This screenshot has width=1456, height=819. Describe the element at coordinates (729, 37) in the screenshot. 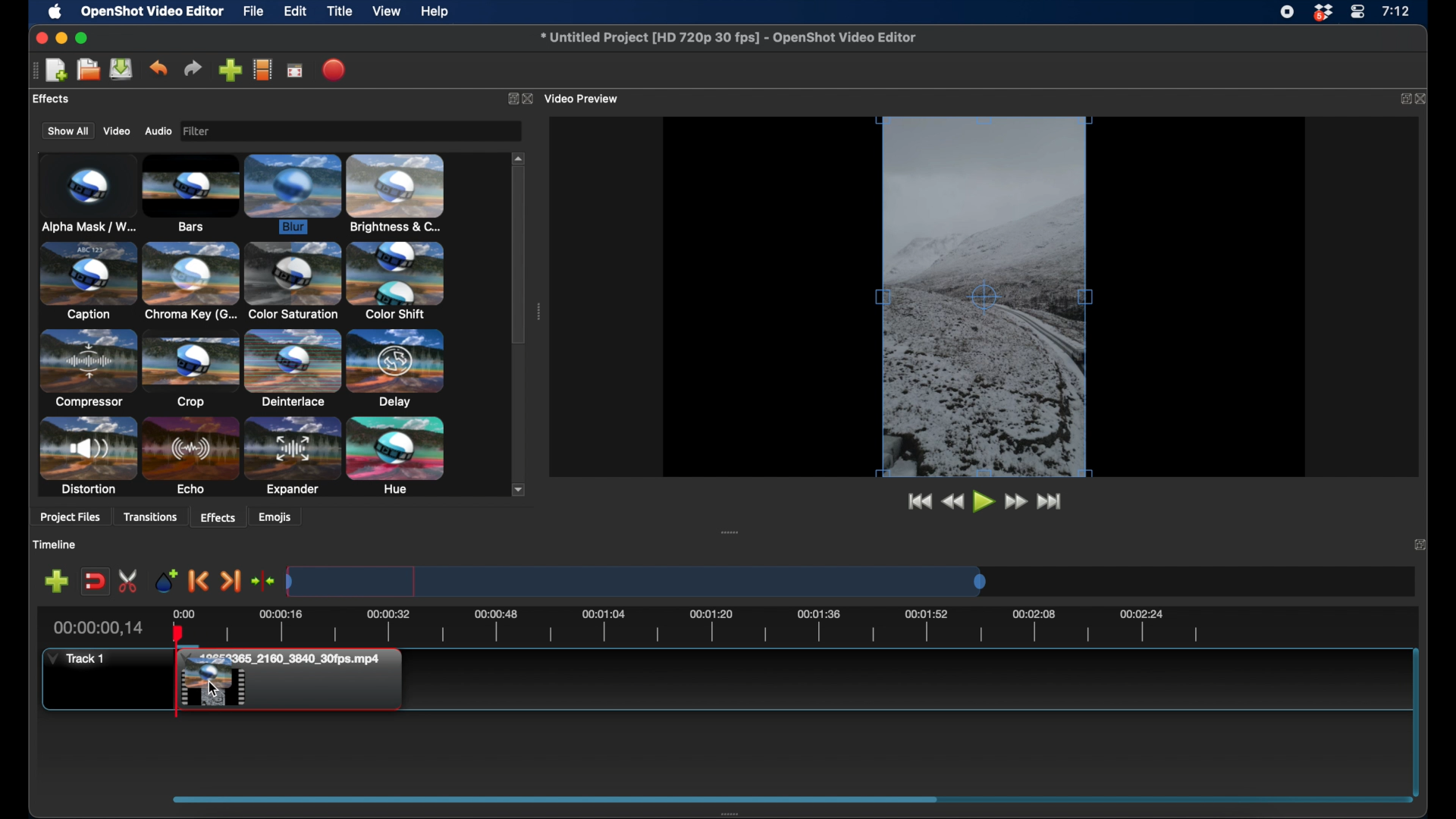

I see `file name` at that location.